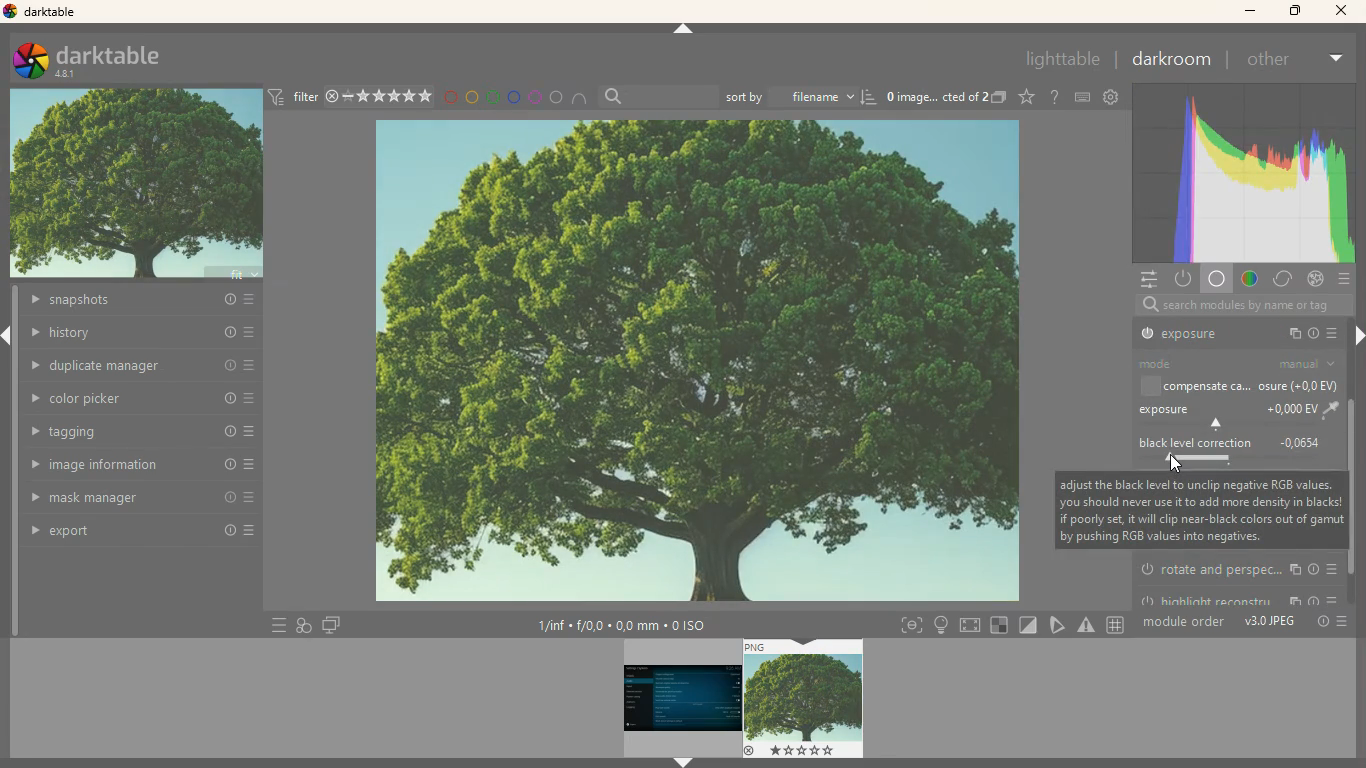 The image size is (1366, 768). Describe the element at coordinates (682, 761) in the screenshot. I see `arrow` at that location.